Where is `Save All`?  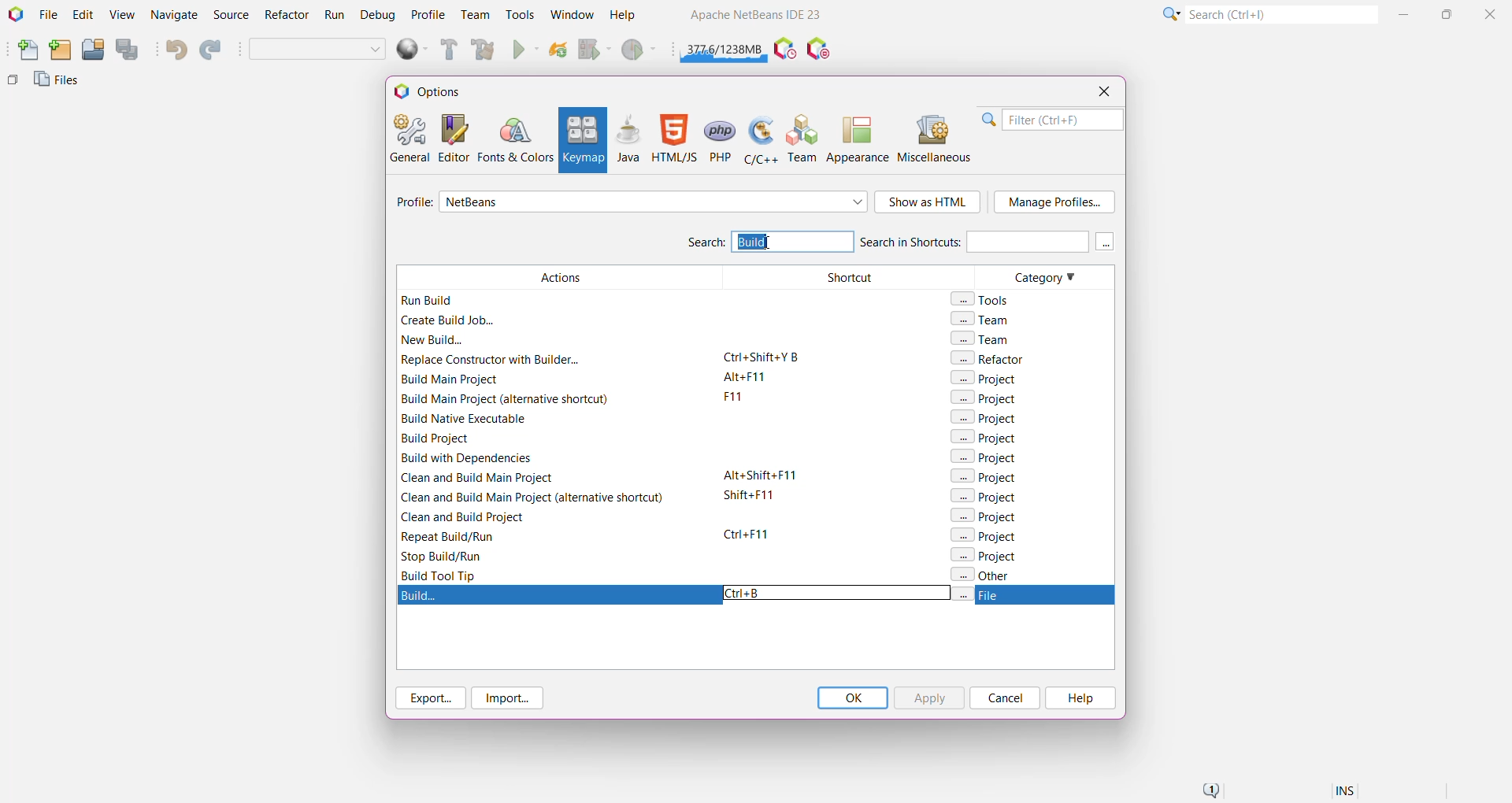
Save All is located at coordinates (128, 50).